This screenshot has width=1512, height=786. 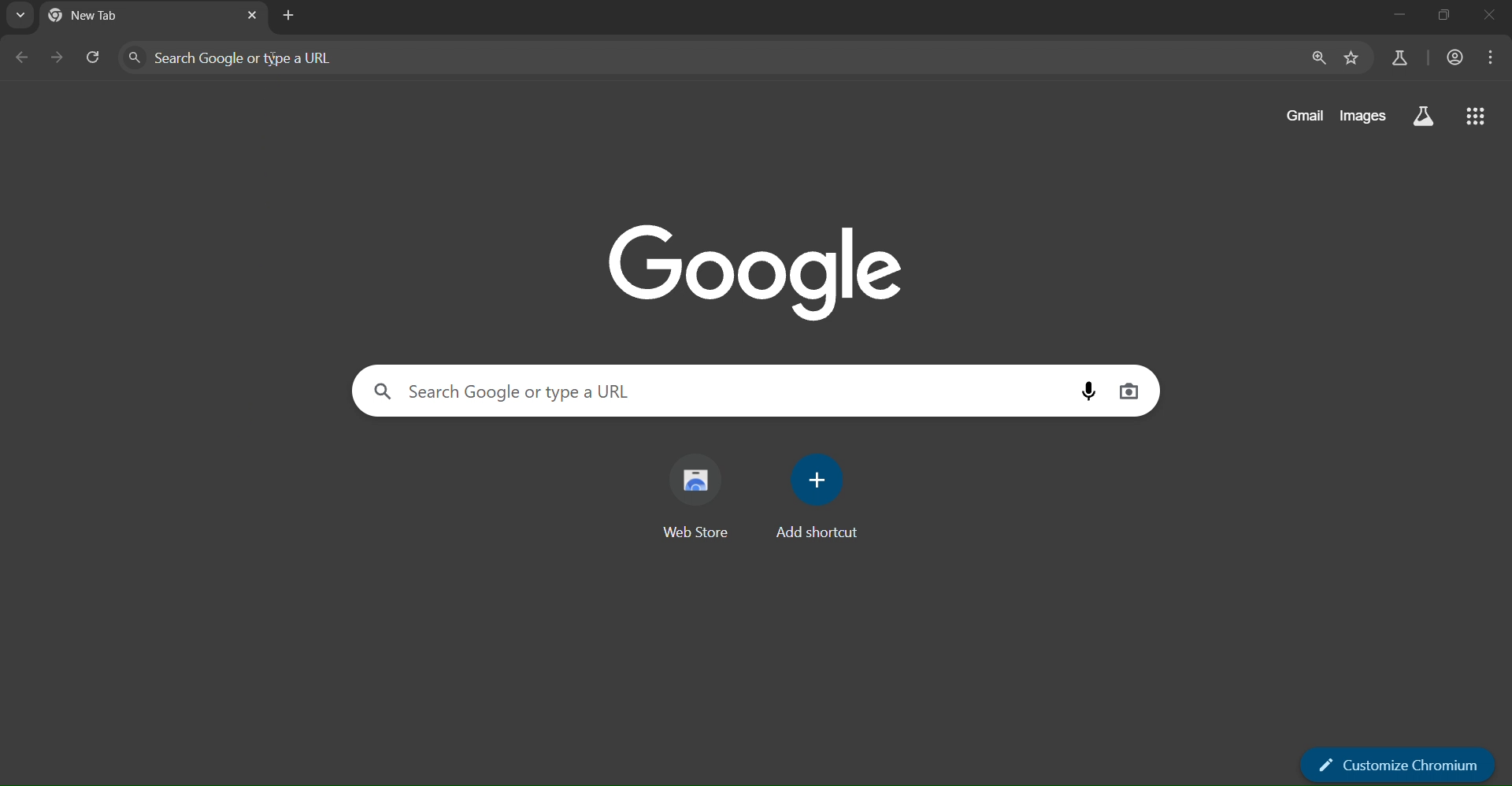 What do you see at coordinates (289, 17) in the screenshot?
I see `new tab` at bounding box center [289, 17].